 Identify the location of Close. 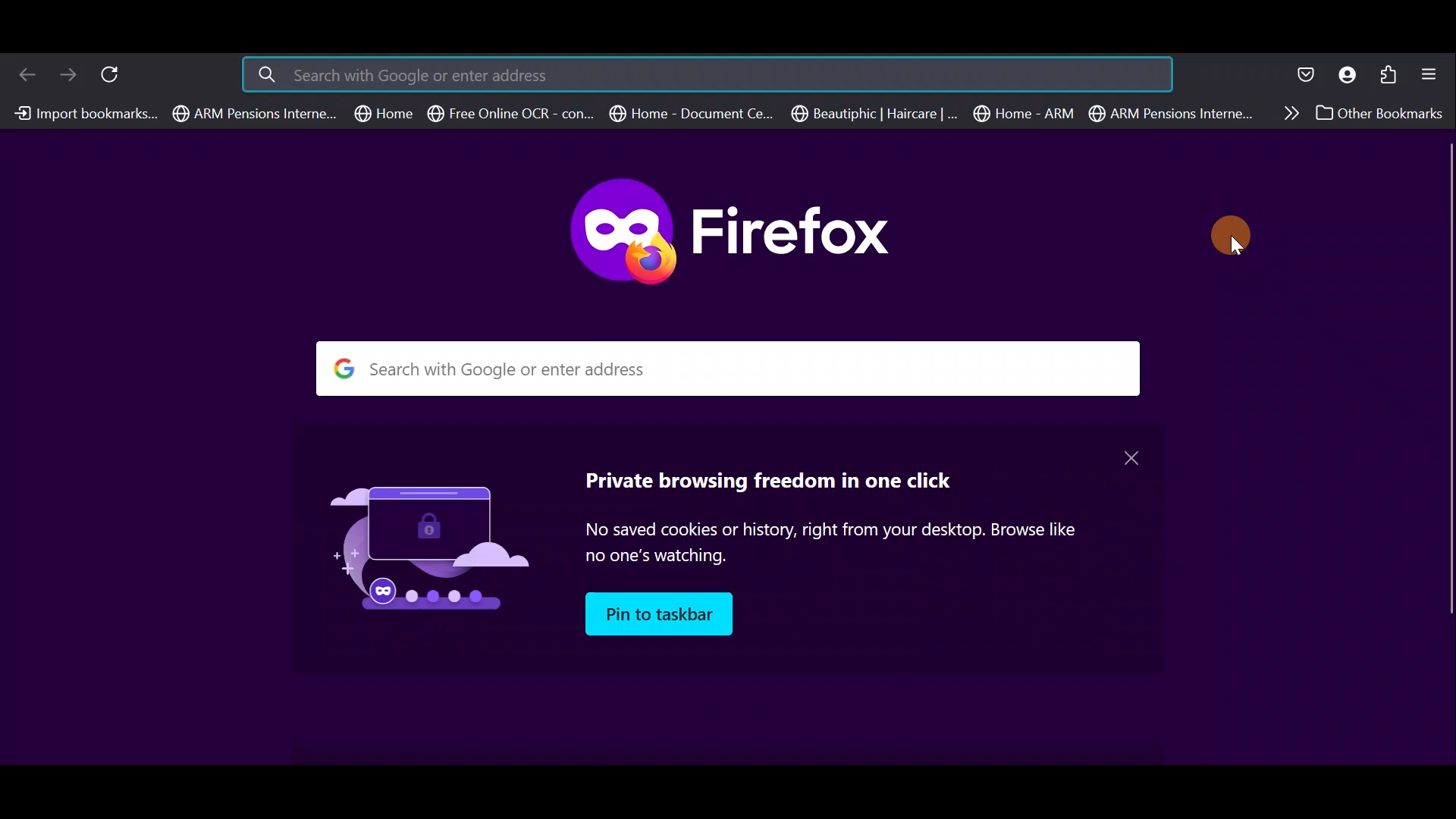
(1131, 457).